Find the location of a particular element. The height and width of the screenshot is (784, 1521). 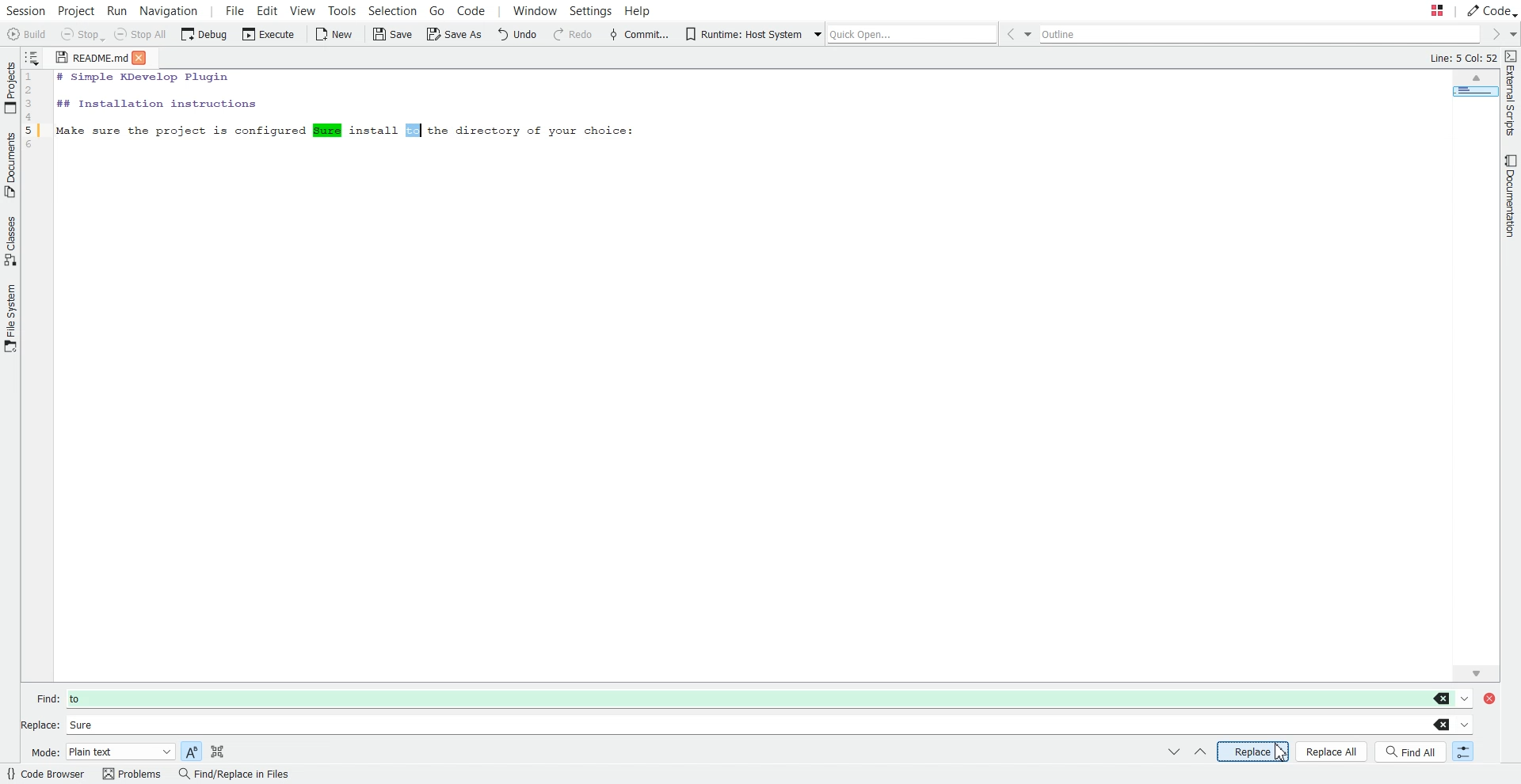

Build is located at coordinates (27, 34).